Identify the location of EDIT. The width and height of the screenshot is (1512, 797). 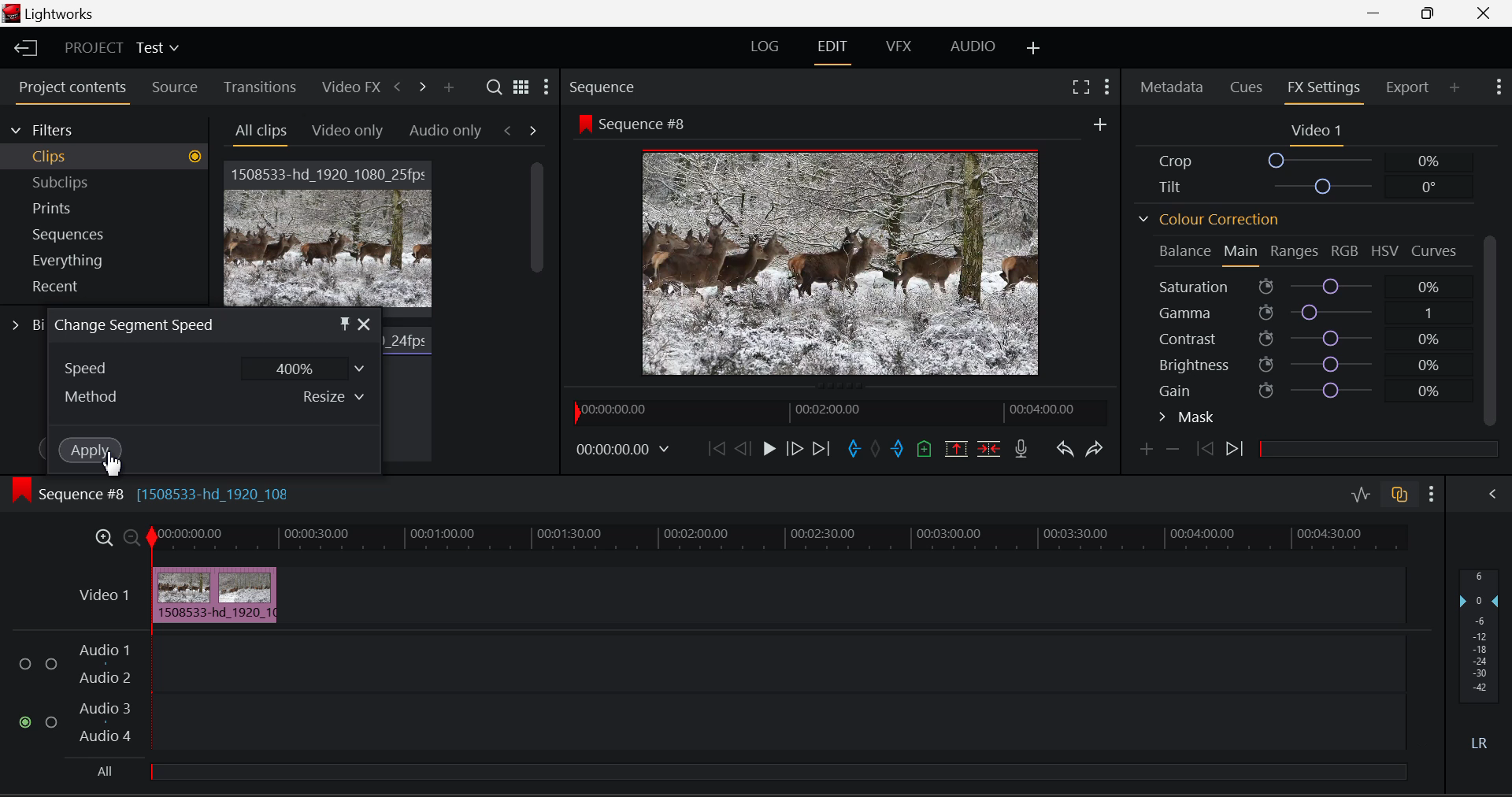
(836, 50).